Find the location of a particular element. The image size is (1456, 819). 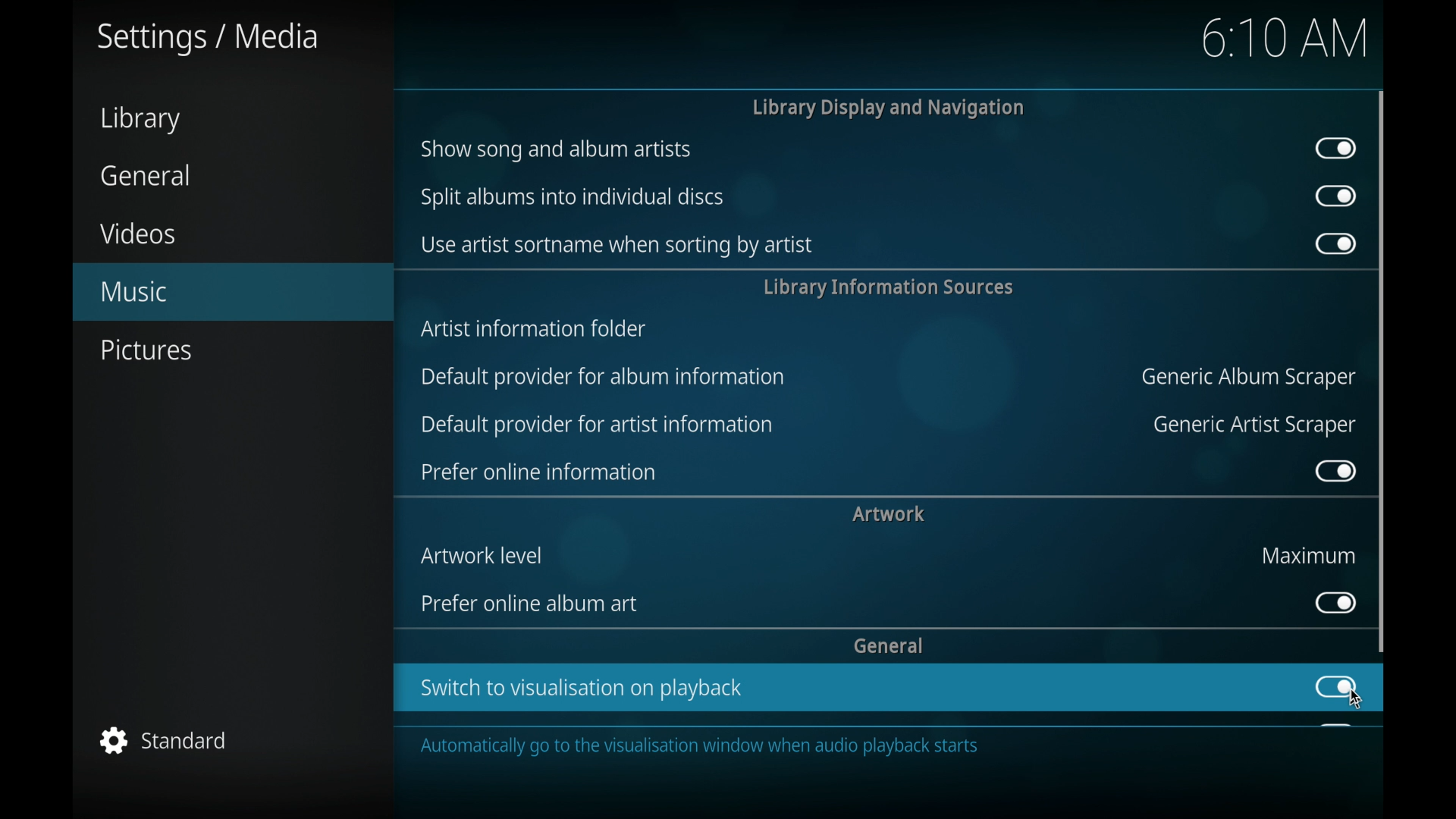

default provider for artist information  is located at coordinates (597, 425).